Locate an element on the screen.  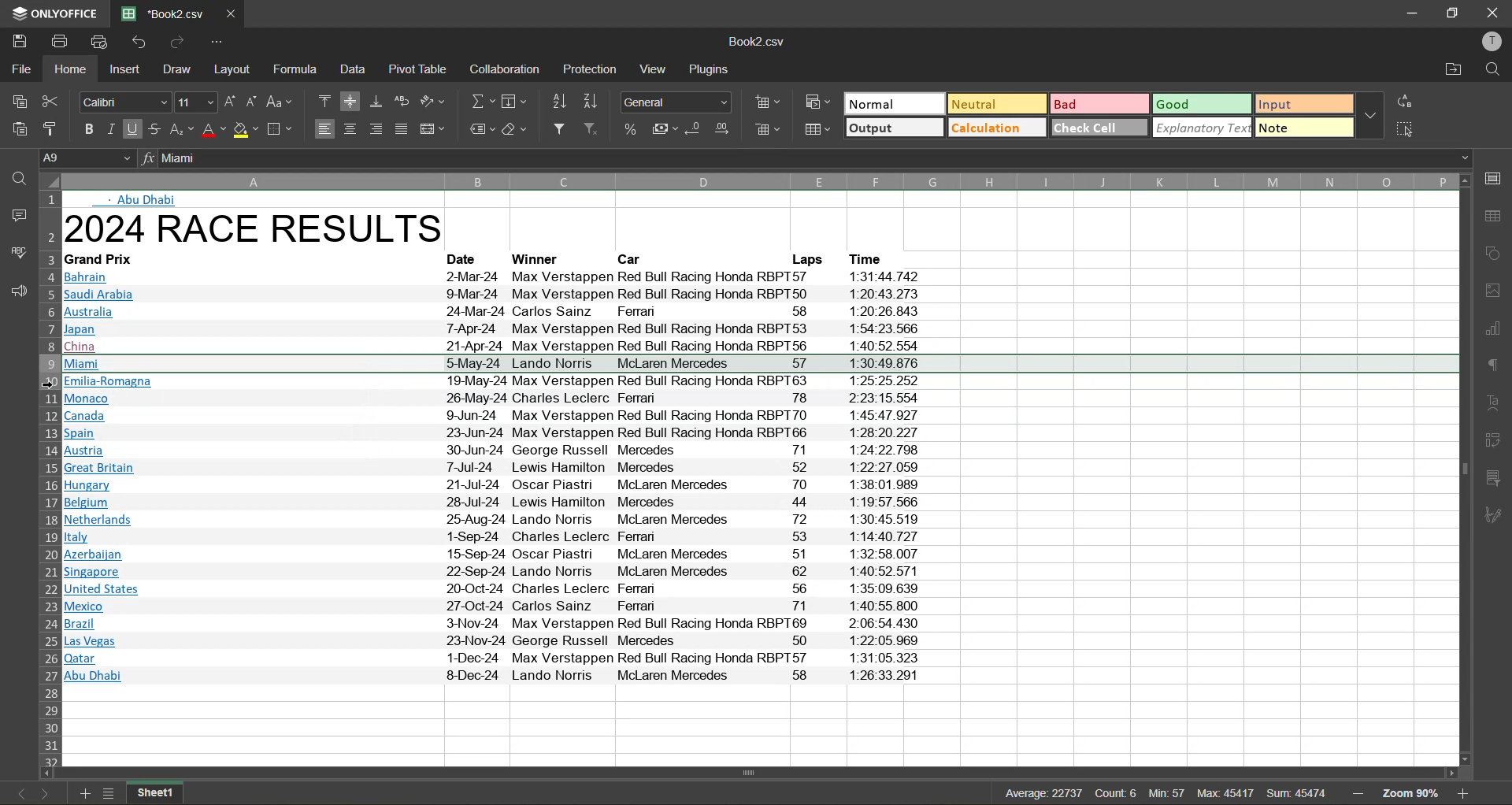
field is located at coordinates (515, 101).